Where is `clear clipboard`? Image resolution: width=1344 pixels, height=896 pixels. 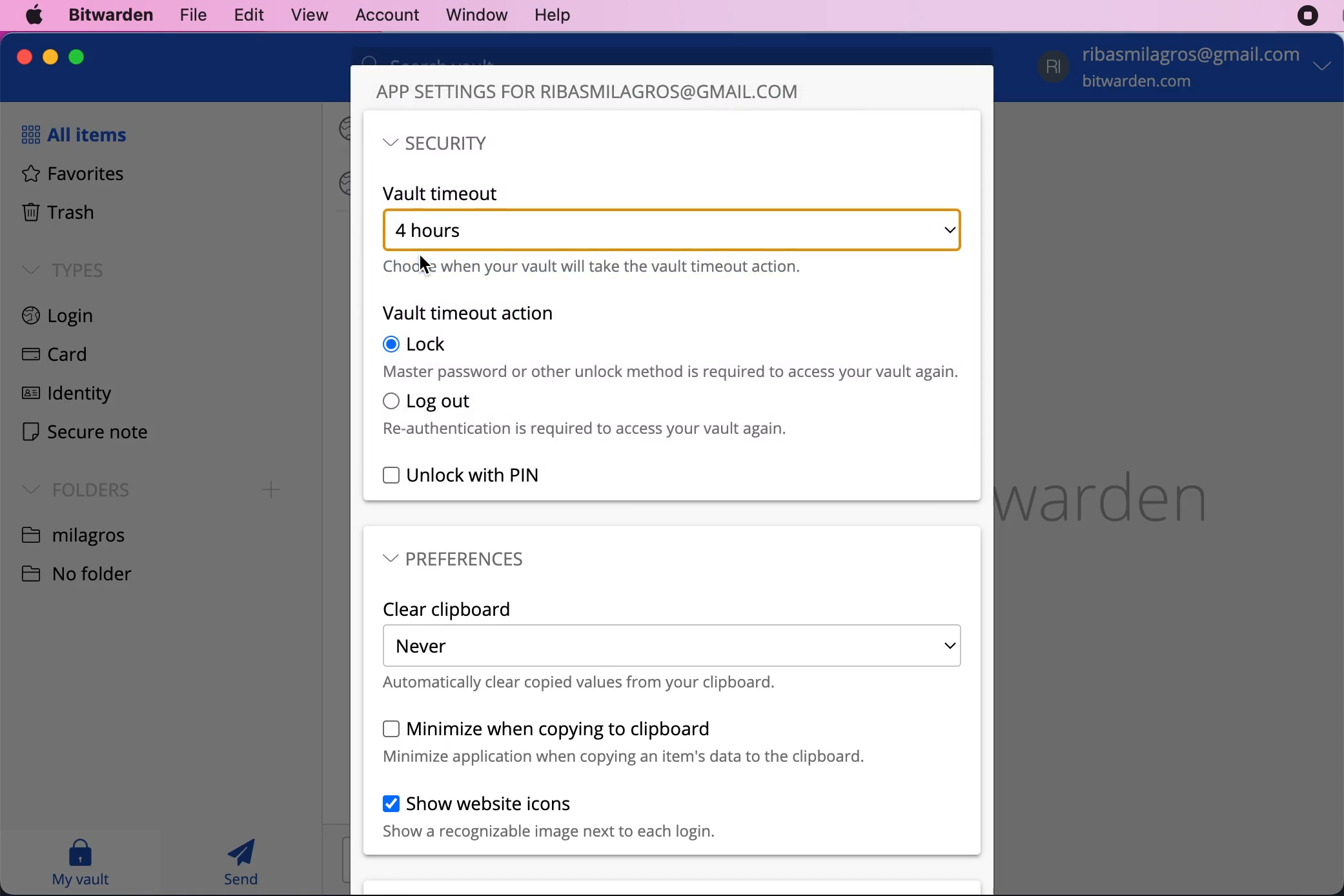 clear clipboard is located at coordinates (449, 609).